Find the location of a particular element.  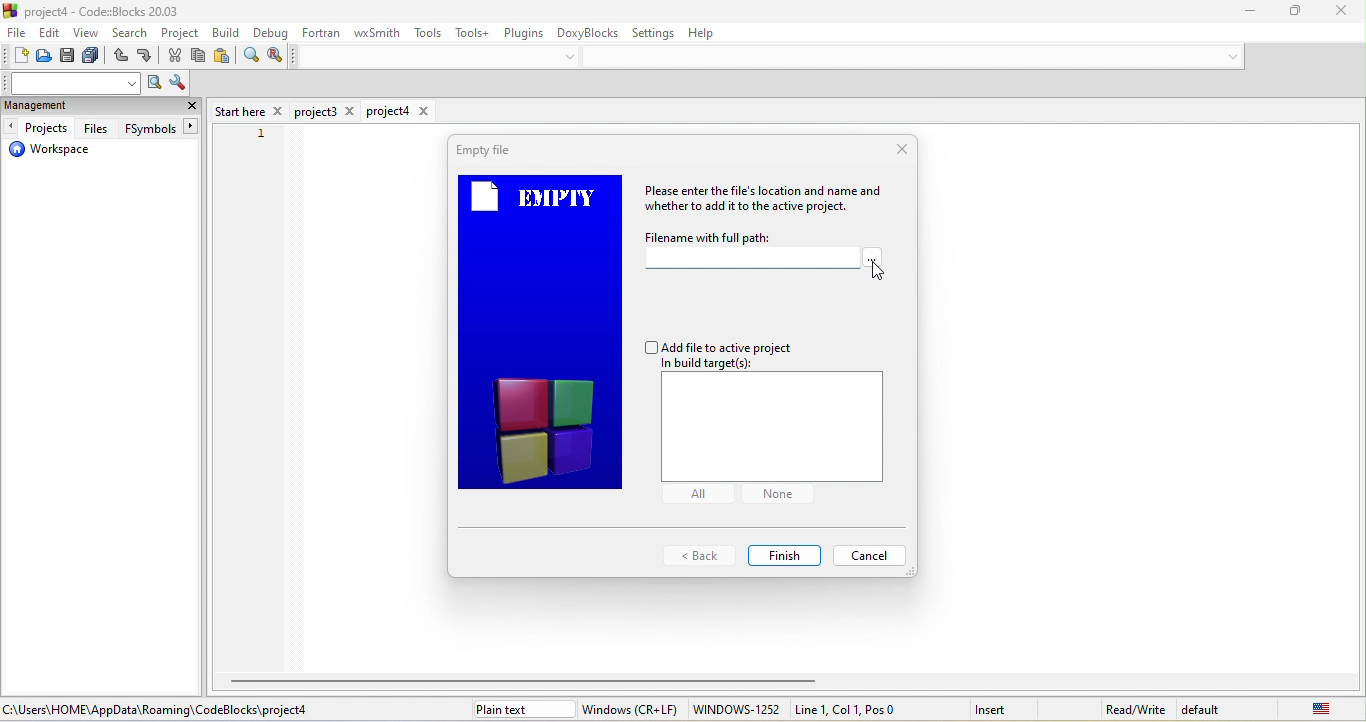

wxsmith is located at coordinates (374, 34).